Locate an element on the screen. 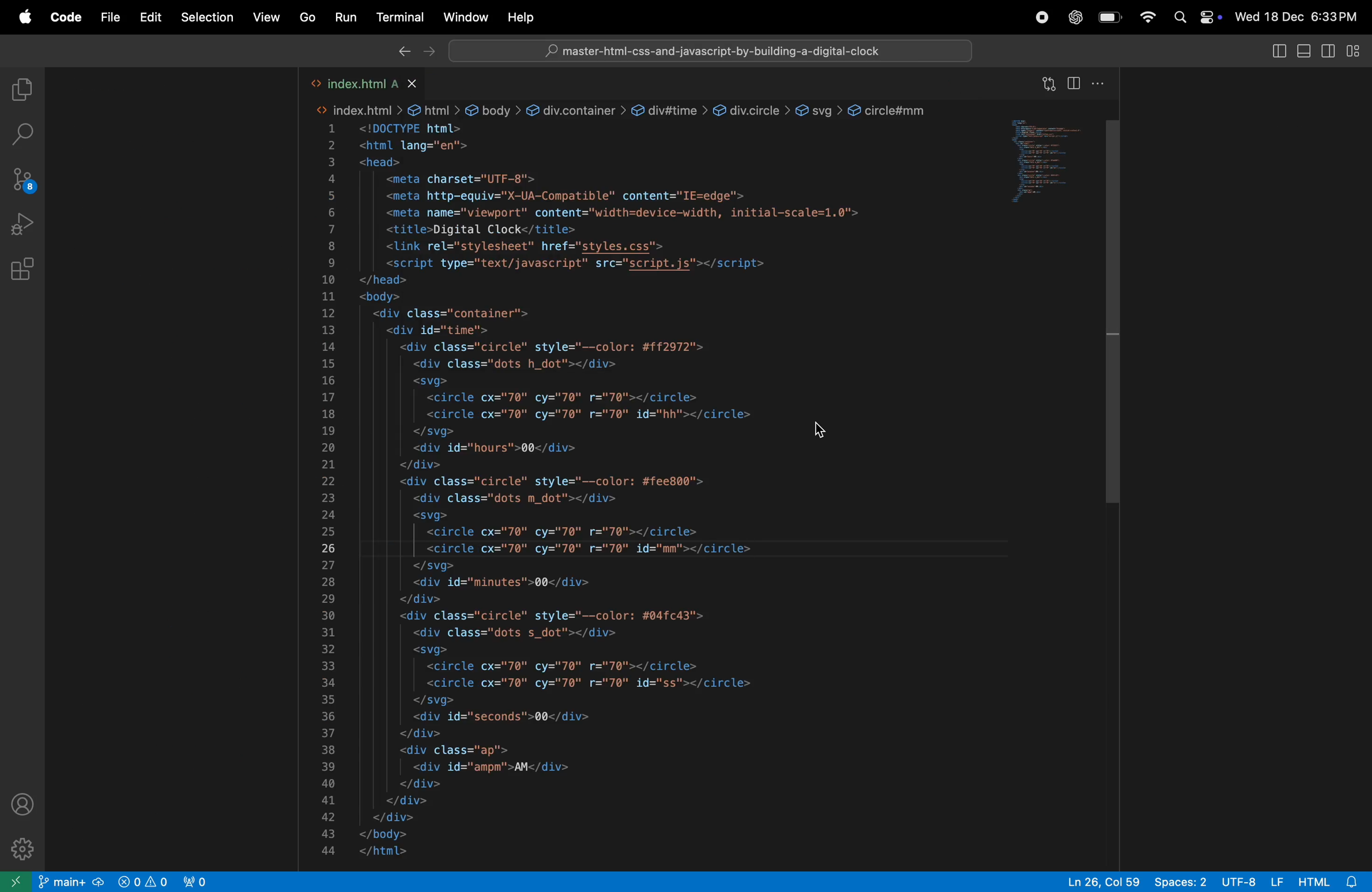 The image size is (1372, 892). file is located at coordinates (108, 17).